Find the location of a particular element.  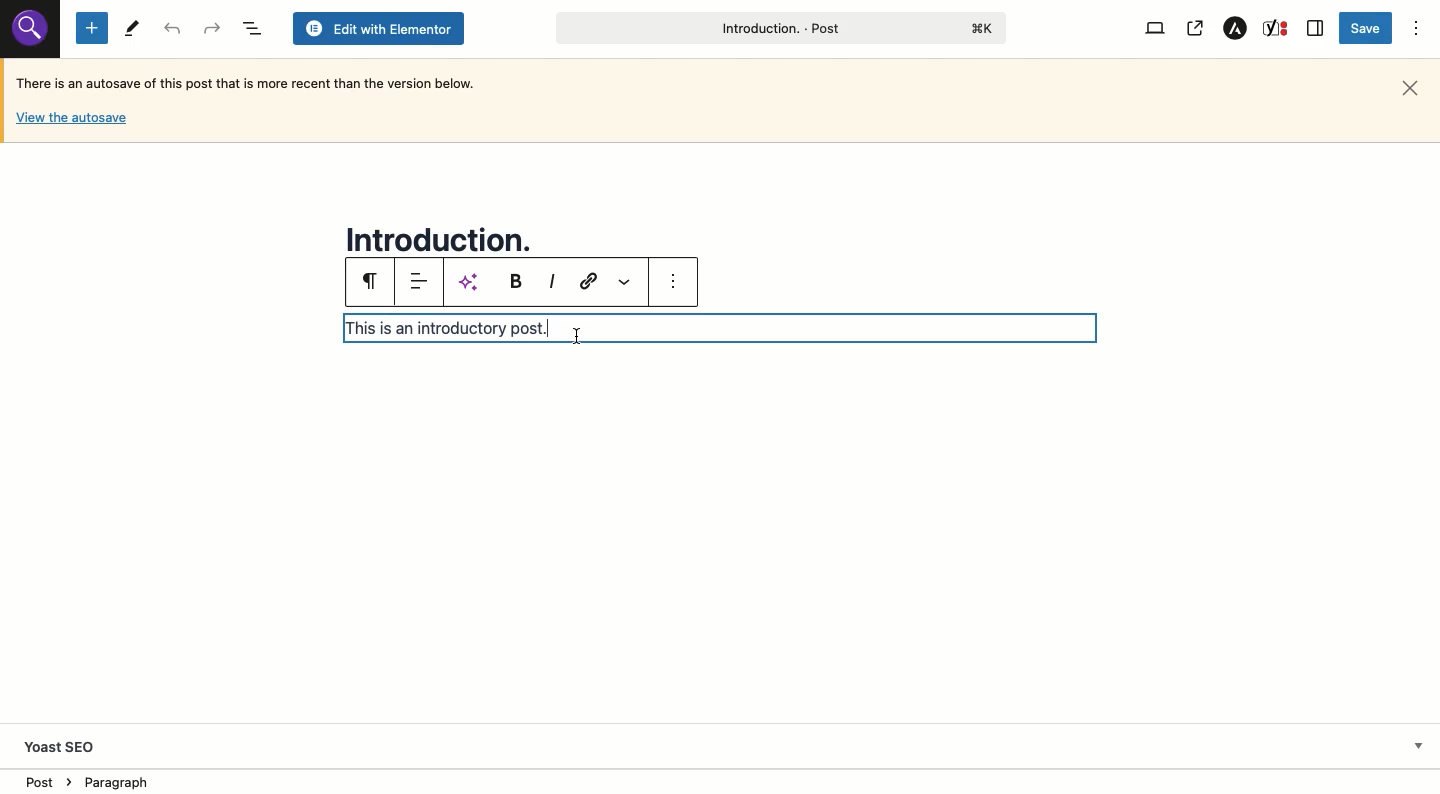

Options is located at coordinates (1417, 29).